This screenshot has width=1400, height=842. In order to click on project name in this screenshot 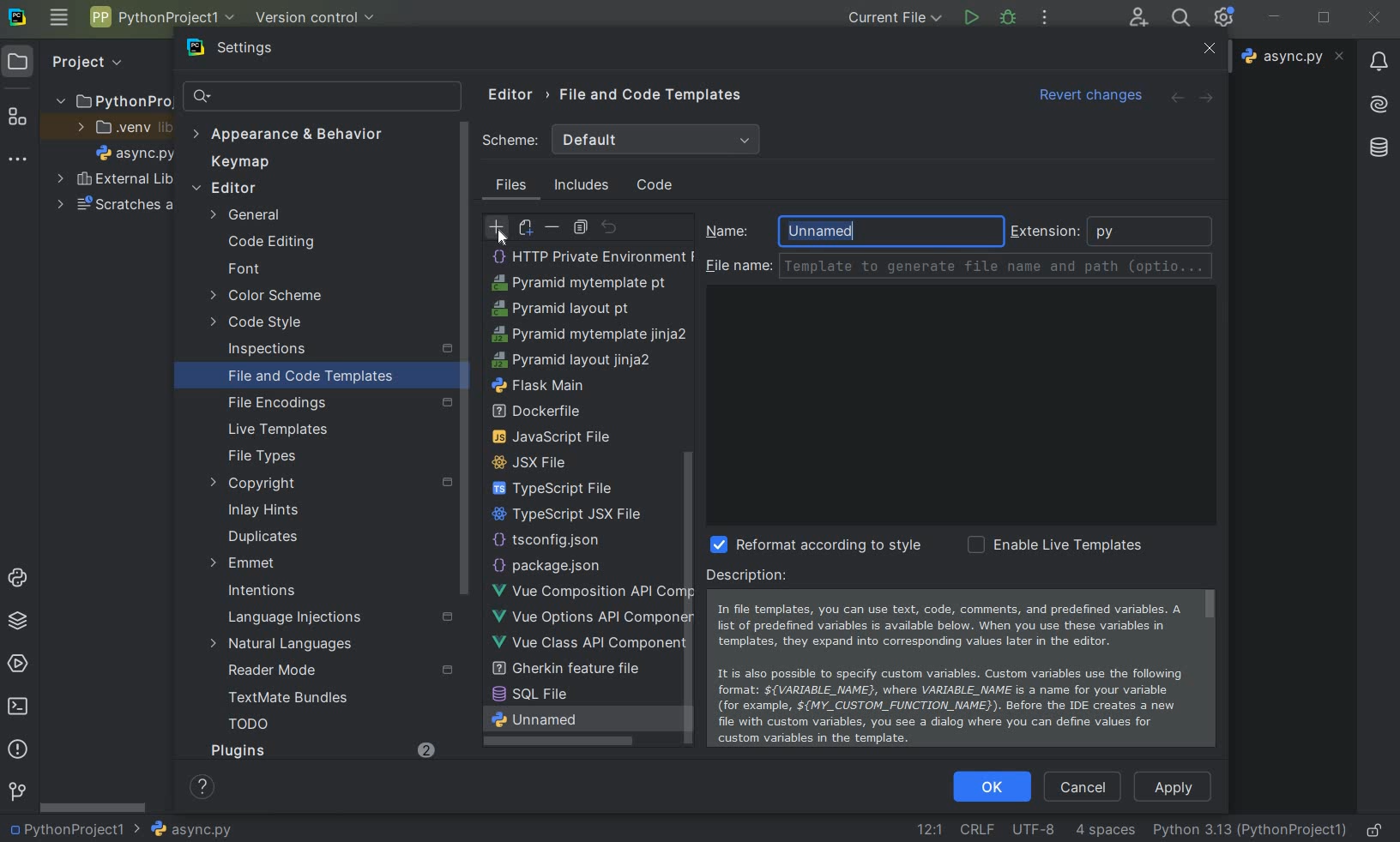, I will do `click(161, 17)`.